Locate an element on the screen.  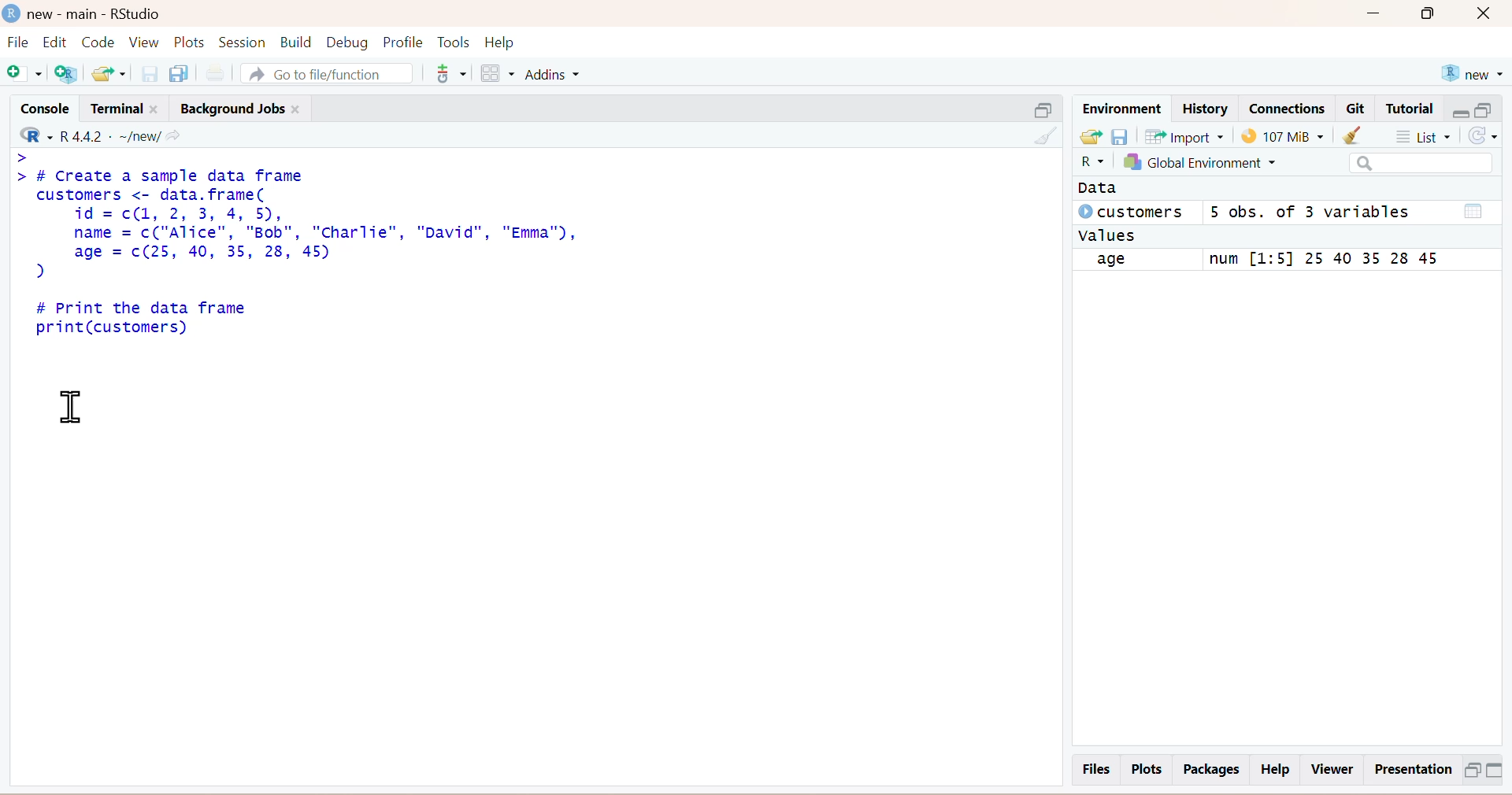
Connections is located at coordinates (1286, 107).